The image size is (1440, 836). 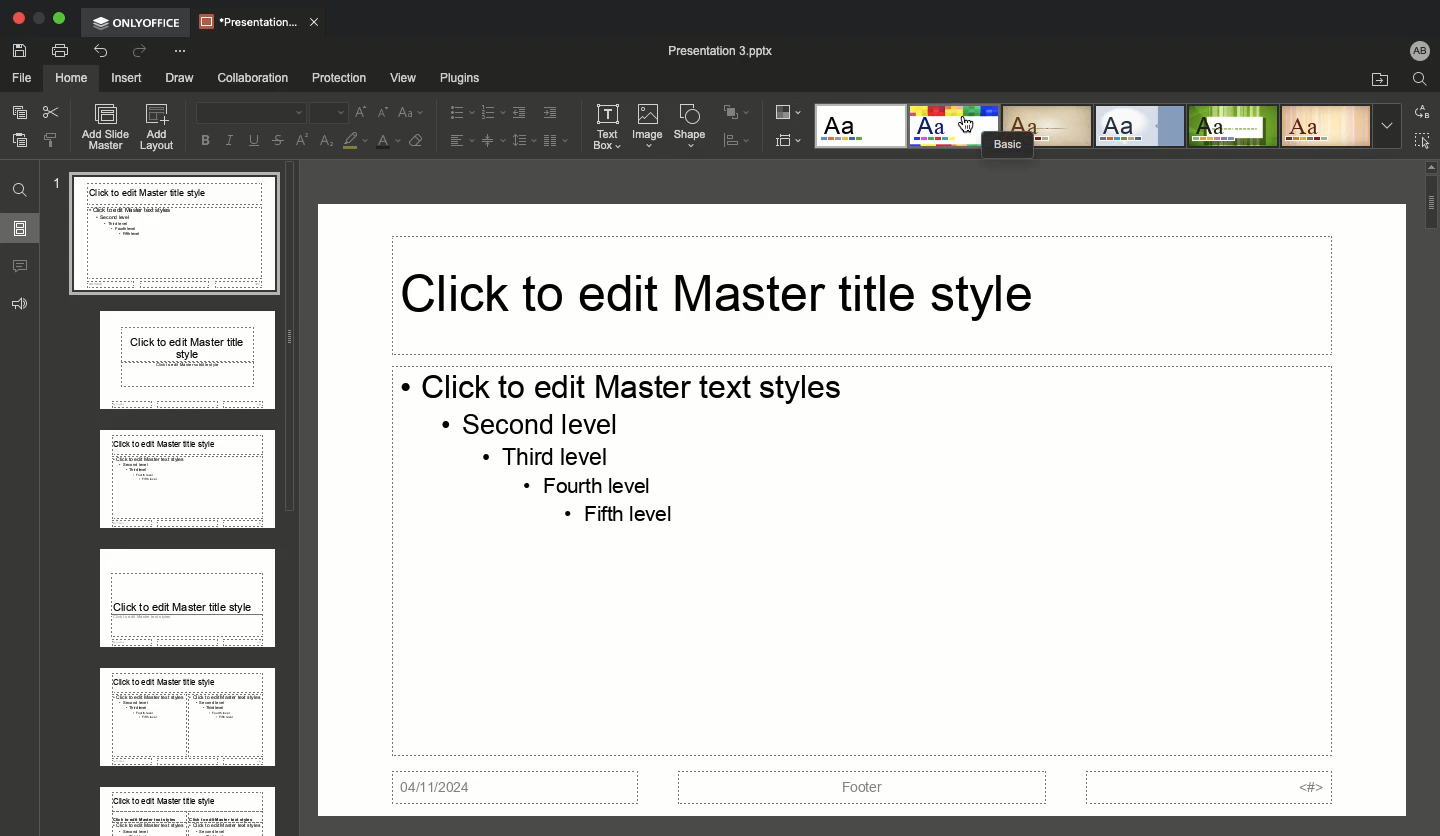 What do you see at coordinates (651, 123) in the screenshot?
I see `Image` at bounding box center [651, 123].